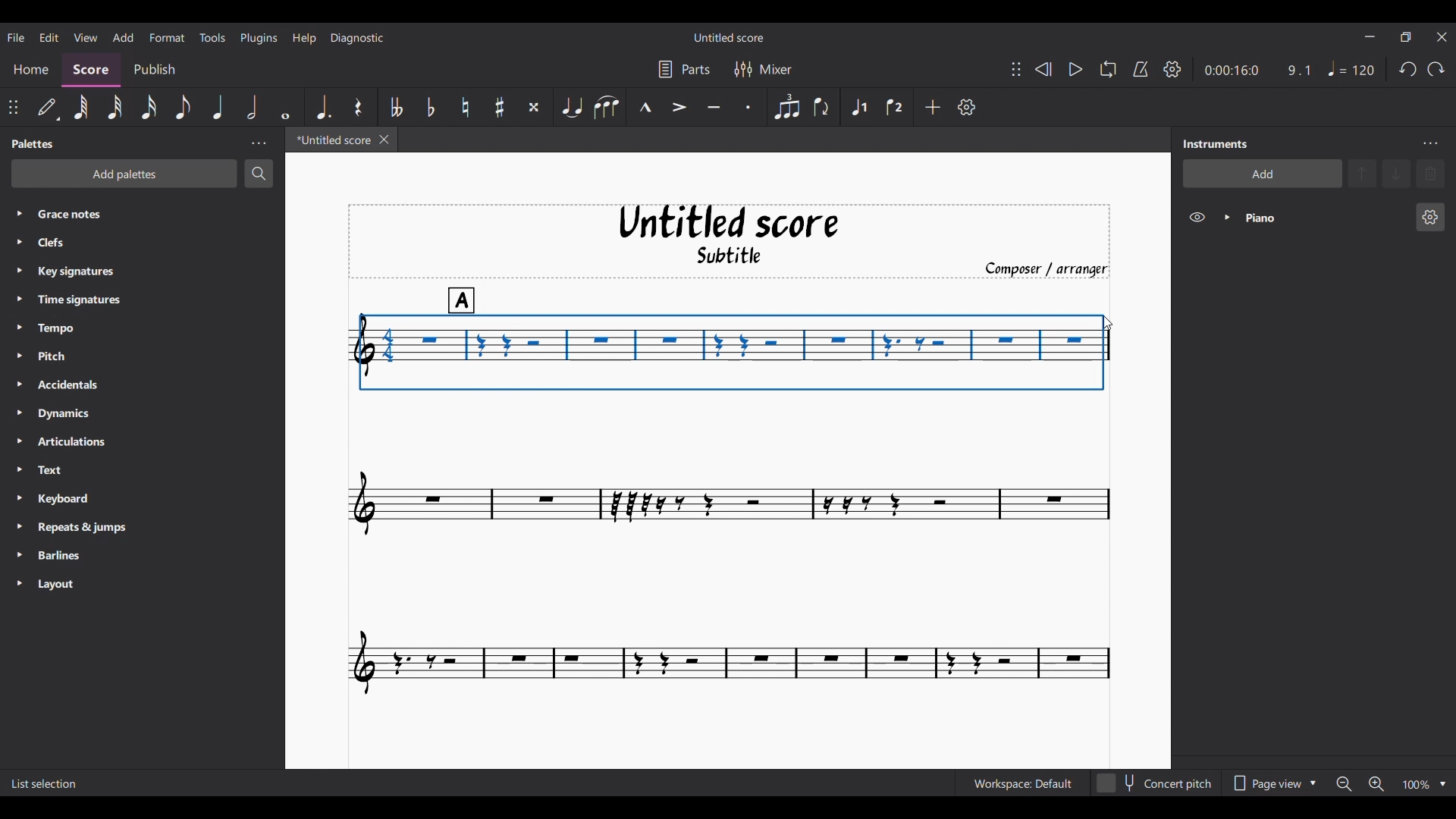 This screenshot has height=819, width=1456. What do you see at coordinates (1430, 217) in the screenshot?
I see `Piano settings` at bounding box center [1430, 217].